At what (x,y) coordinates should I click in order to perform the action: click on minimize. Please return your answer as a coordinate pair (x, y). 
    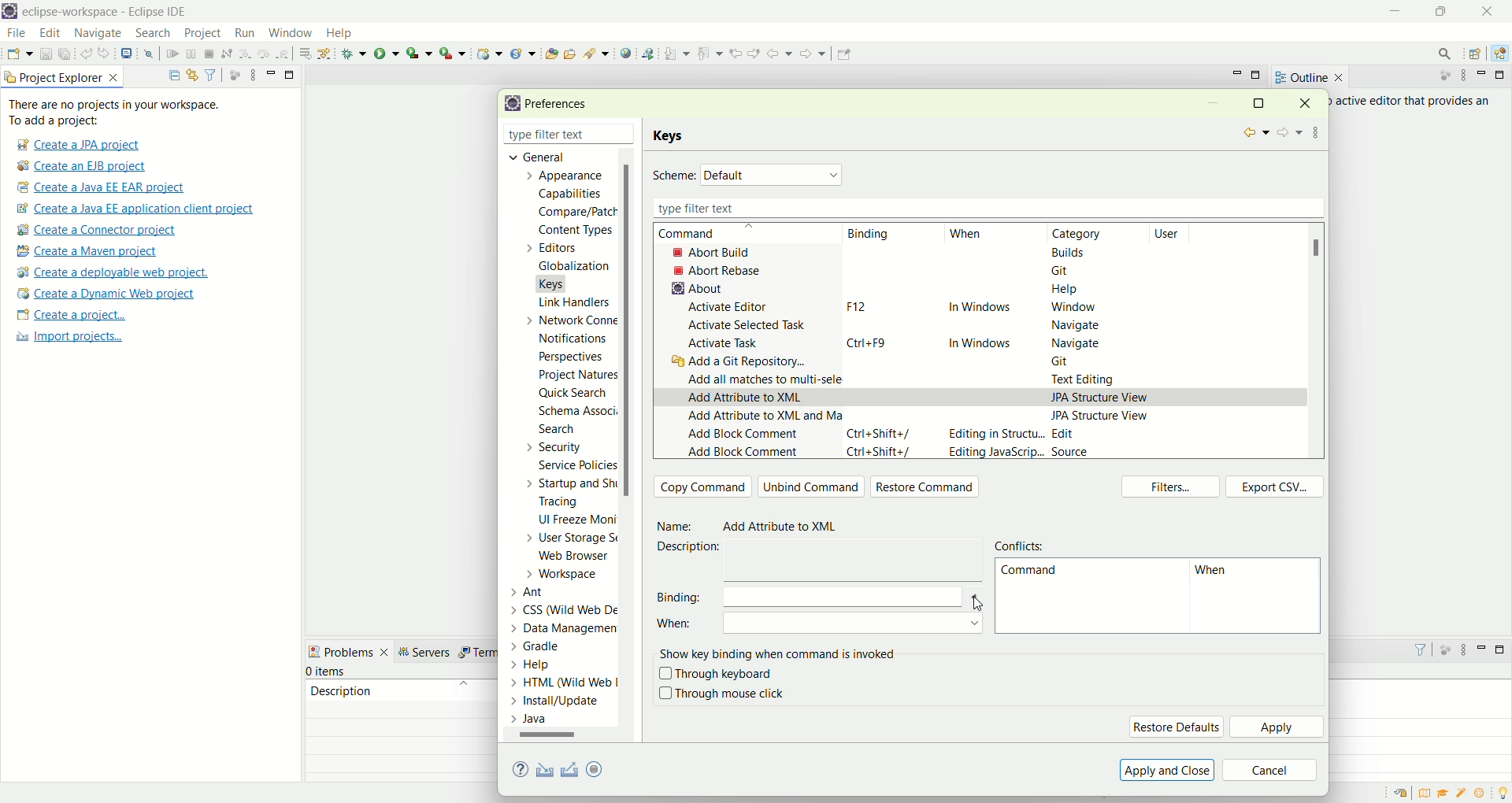
    Looking at the image, I should click on (1484, 75).